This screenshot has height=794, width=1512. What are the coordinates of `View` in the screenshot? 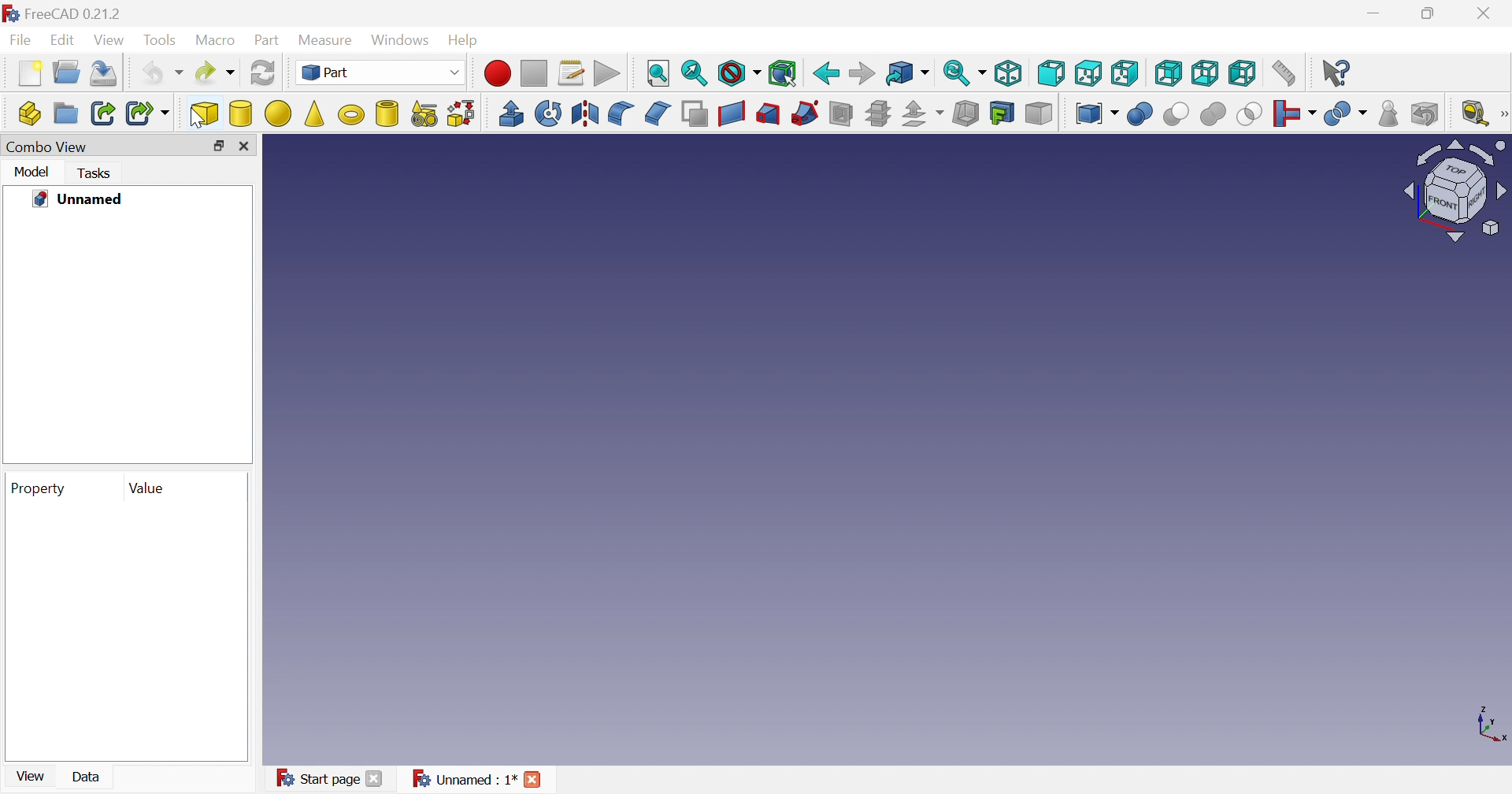 It's located at (31, 775).